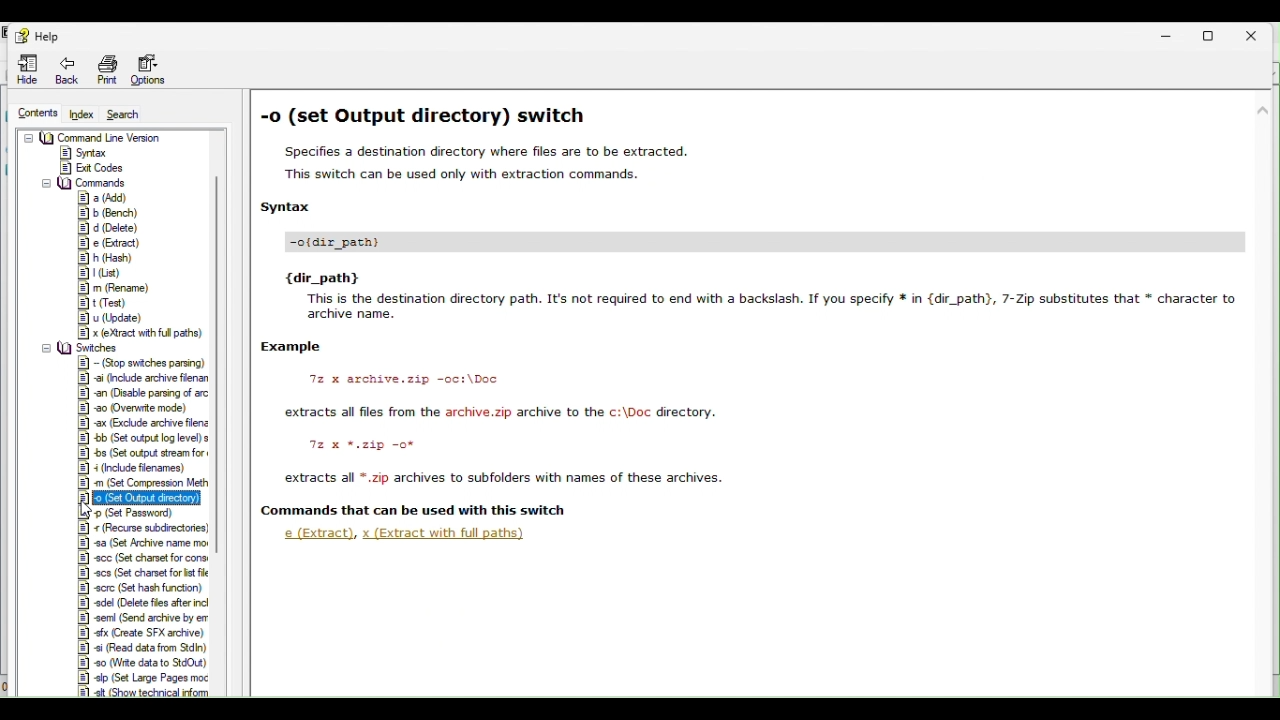  What do you see at coordinates (103, 71) in the screenshot?
I see `` at bounding box center [103, 71].